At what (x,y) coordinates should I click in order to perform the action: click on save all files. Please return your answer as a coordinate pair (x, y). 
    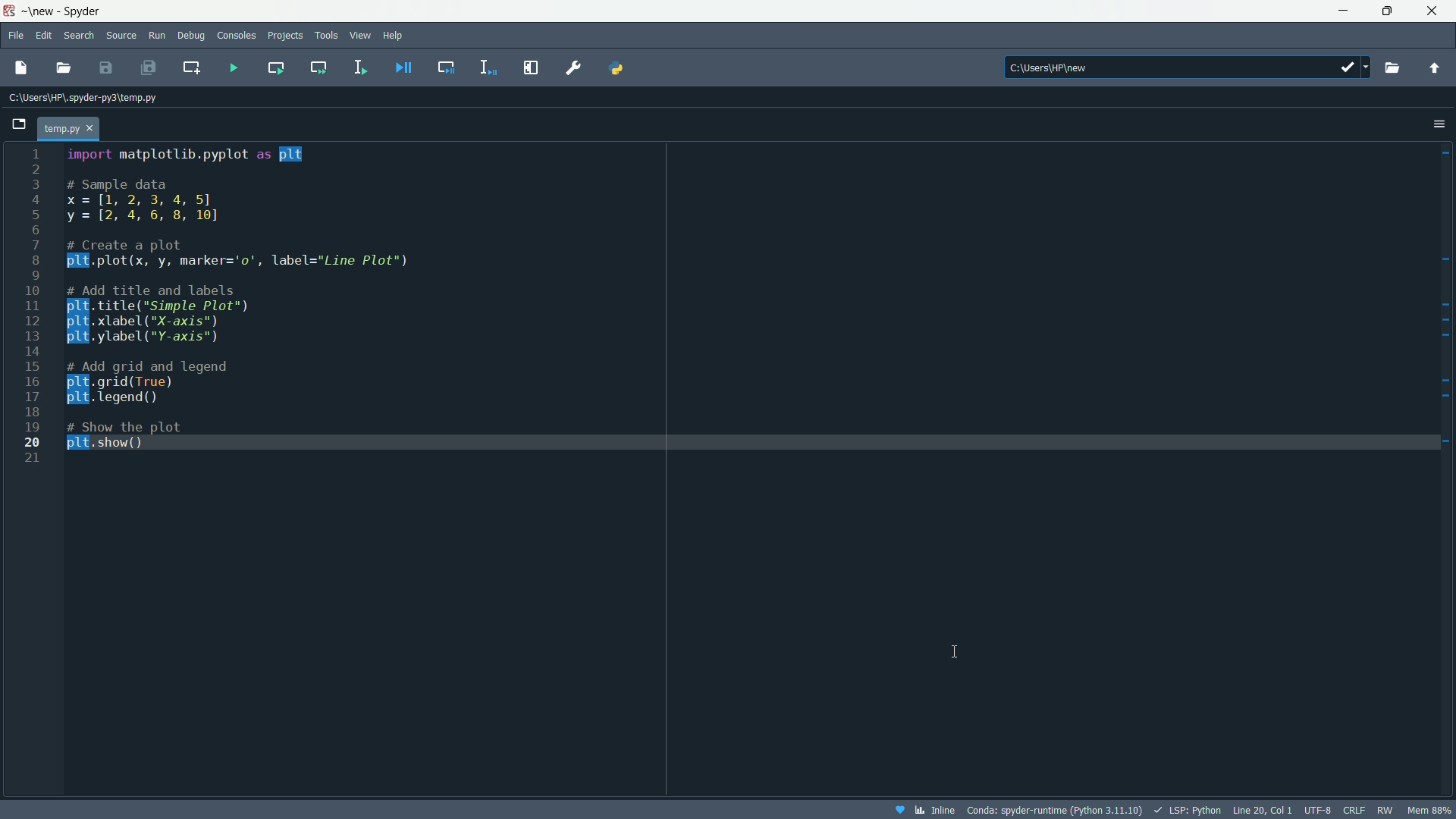
    Looking at the image, I should click on (147, 67).